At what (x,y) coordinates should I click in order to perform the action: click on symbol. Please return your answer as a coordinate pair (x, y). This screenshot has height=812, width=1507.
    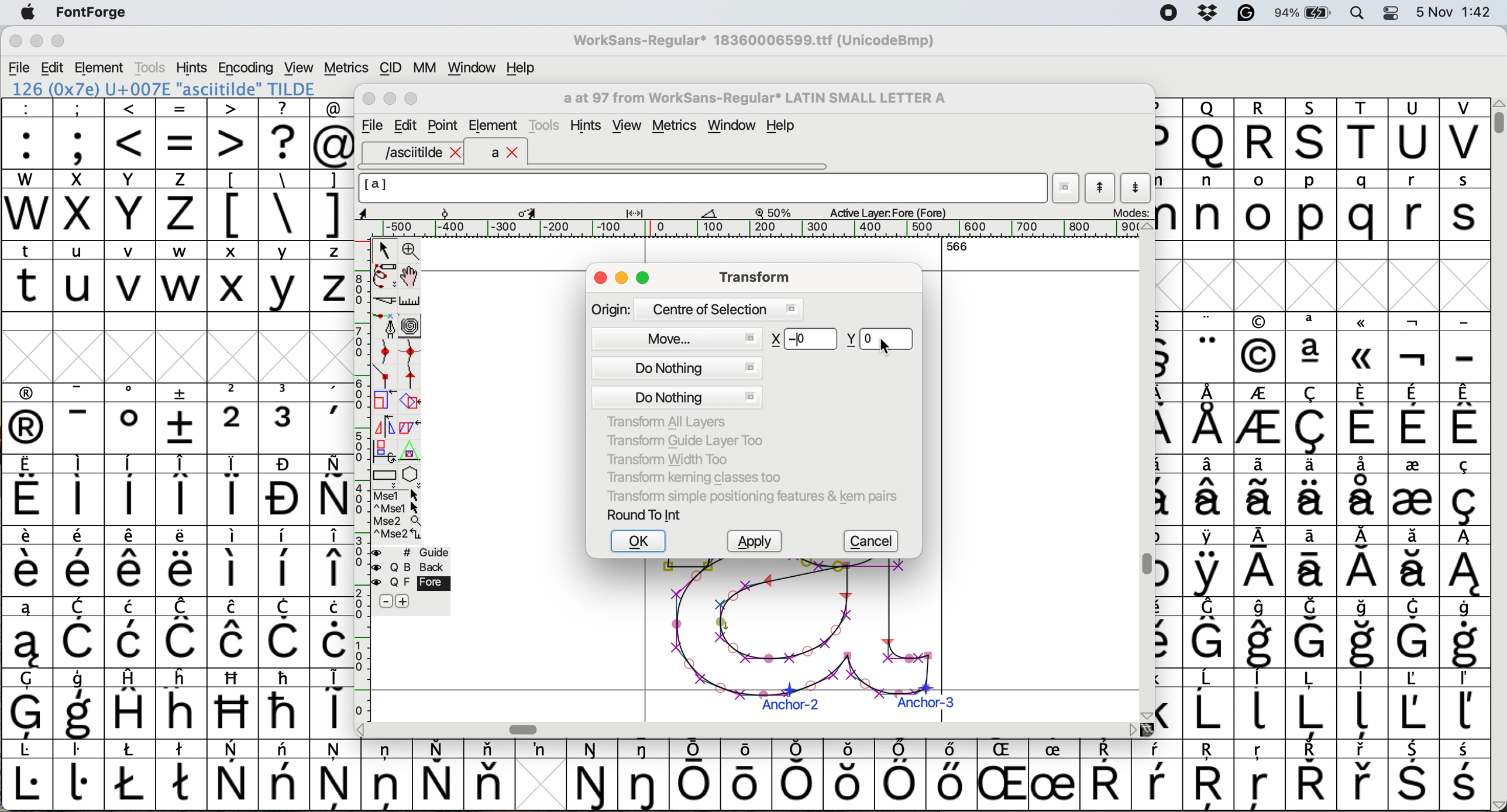
    Looking at the image, I should click on (183, 490).